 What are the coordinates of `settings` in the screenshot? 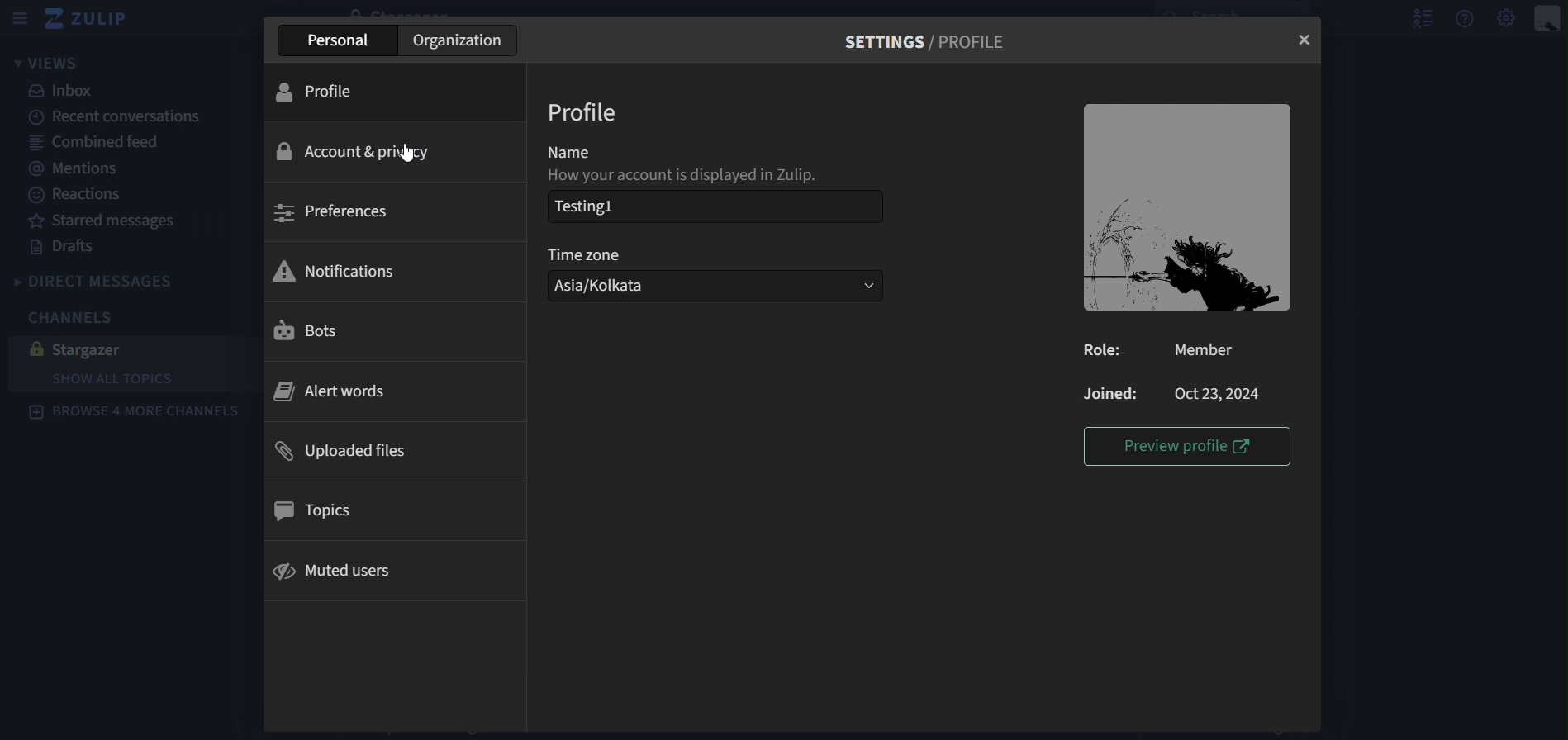 It's located at (930, 40).